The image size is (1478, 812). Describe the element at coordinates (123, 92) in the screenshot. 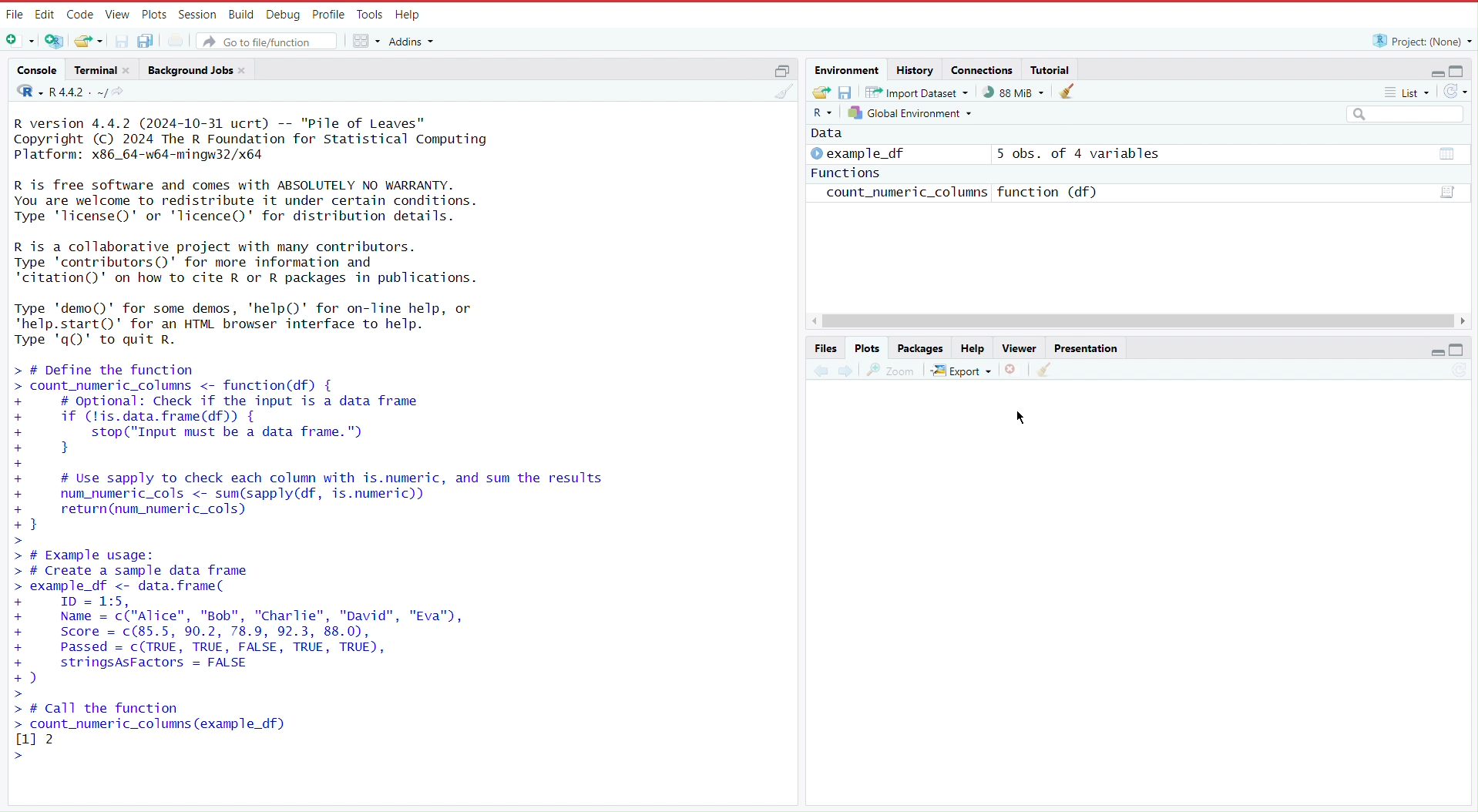

I see `View the current working directory` at that location.